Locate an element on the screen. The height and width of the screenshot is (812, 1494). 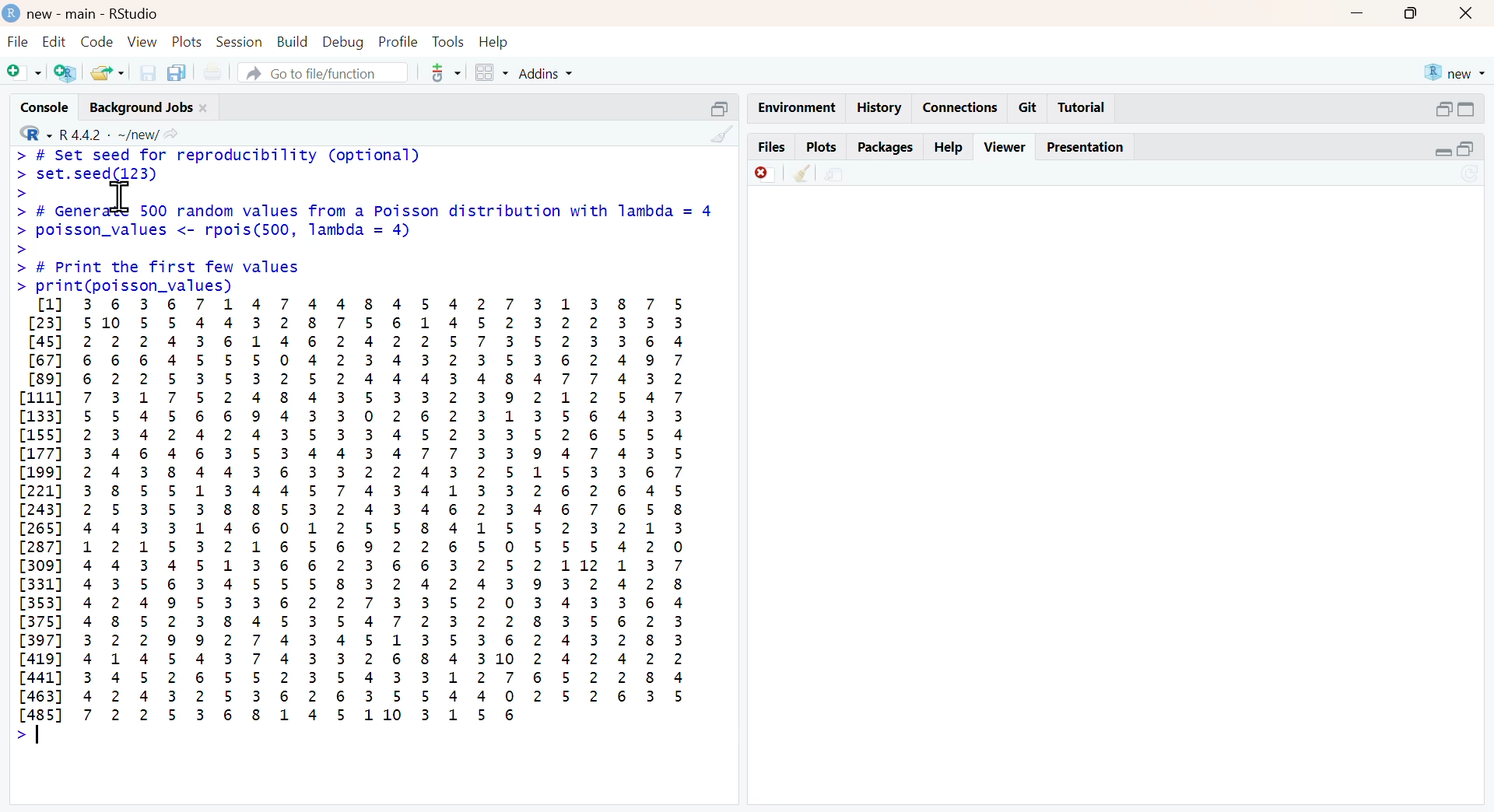
maximise is located at coordinates (1412, 12).